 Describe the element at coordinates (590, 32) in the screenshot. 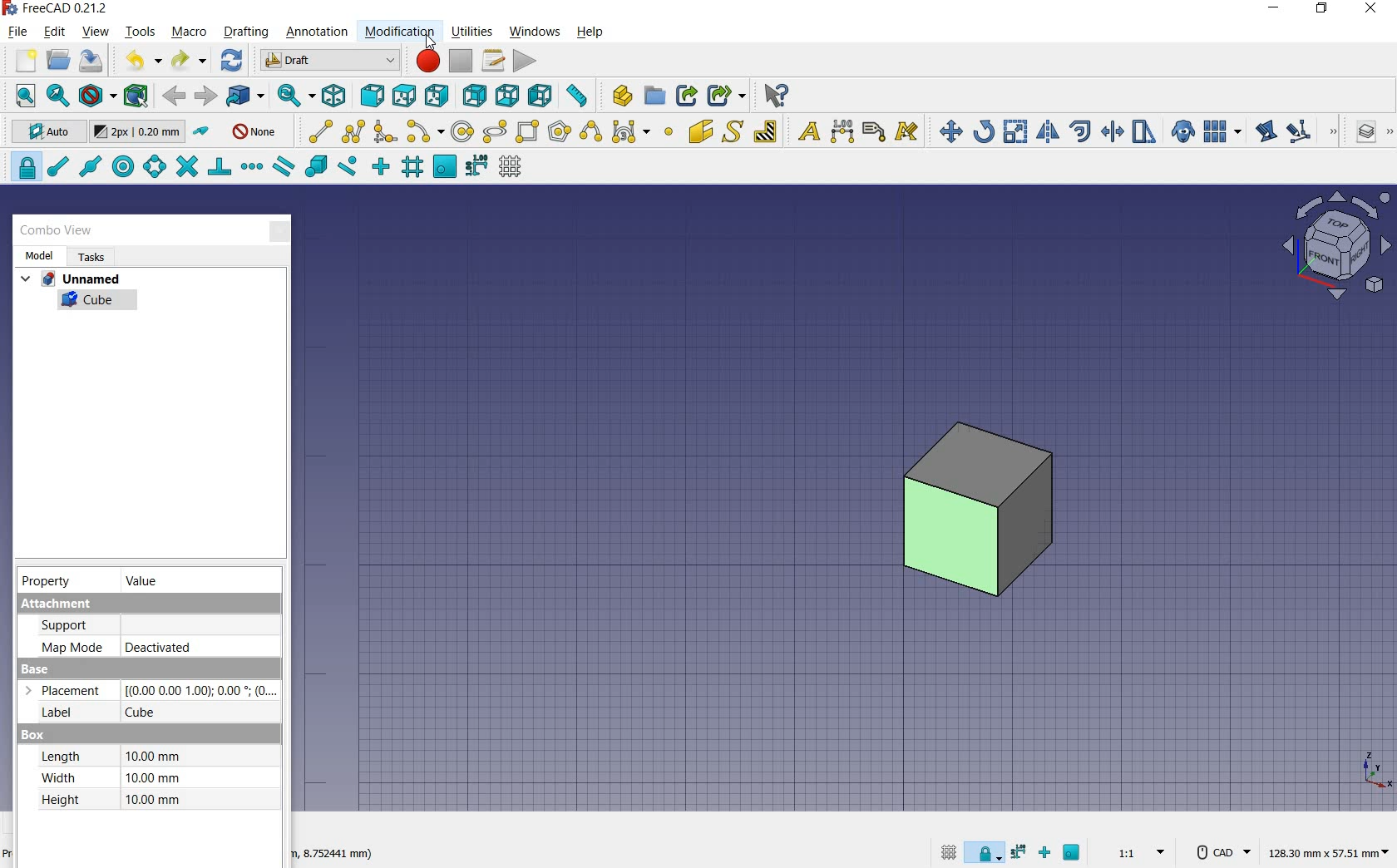

I see `help` at that location.